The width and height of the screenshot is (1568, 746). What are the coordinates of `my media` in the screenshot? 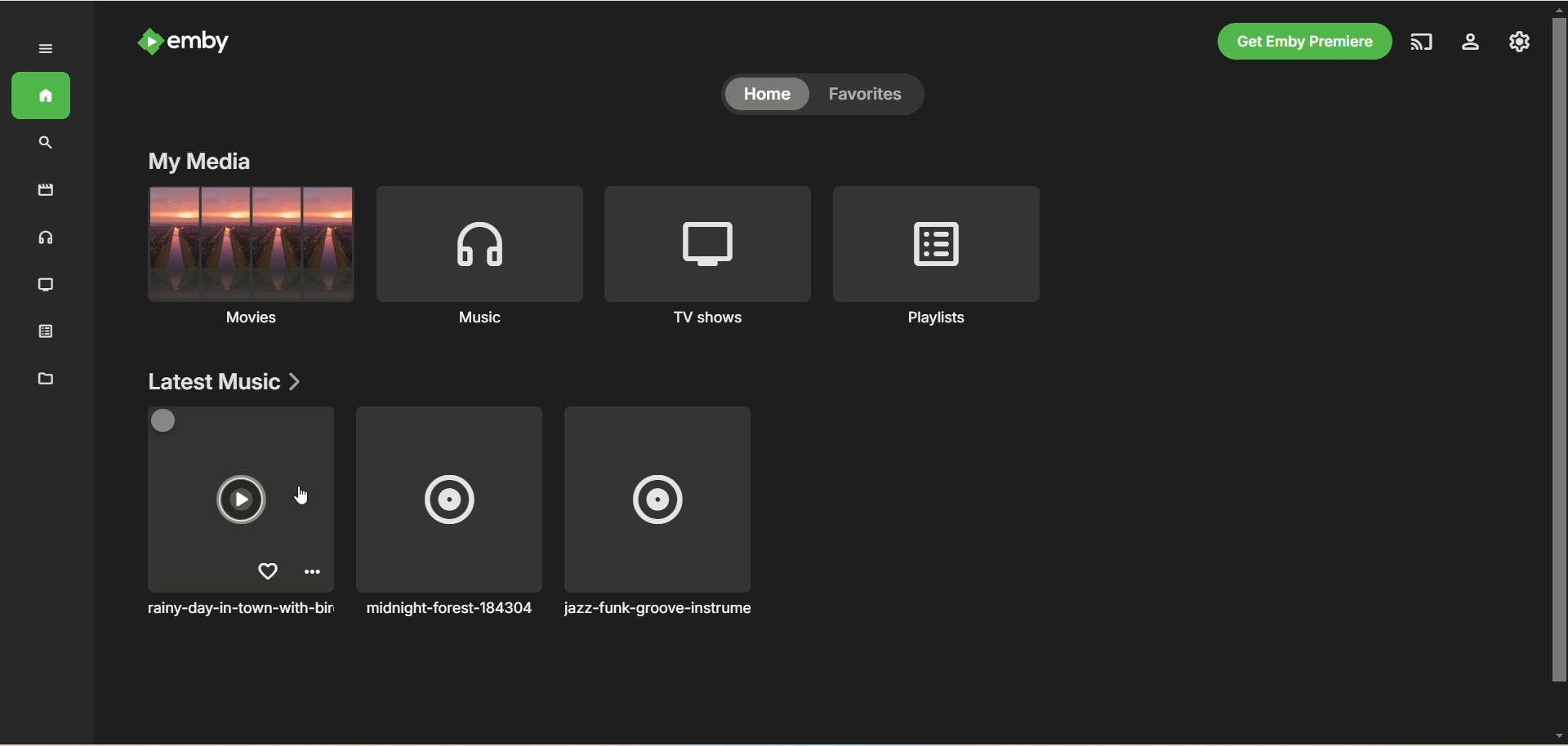 It's located at (203, 159).